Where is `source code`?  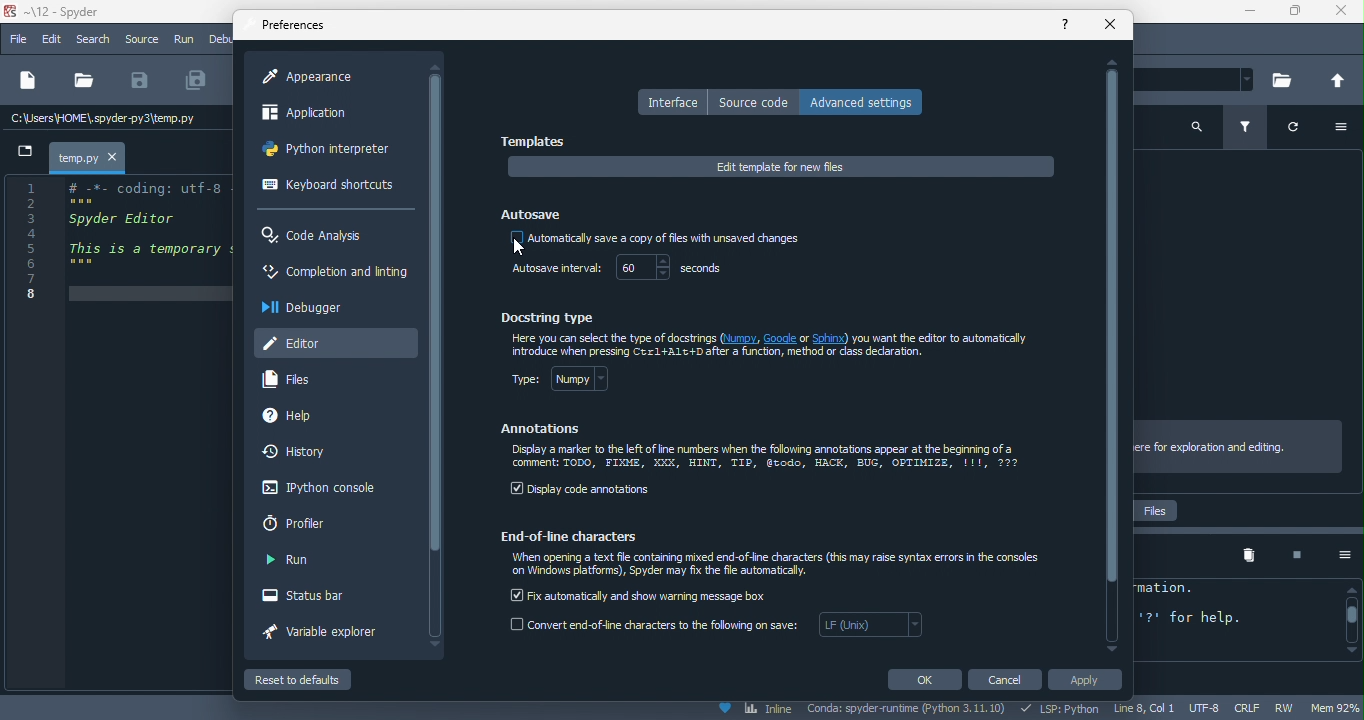
source code is located at coordinates (754, 102).